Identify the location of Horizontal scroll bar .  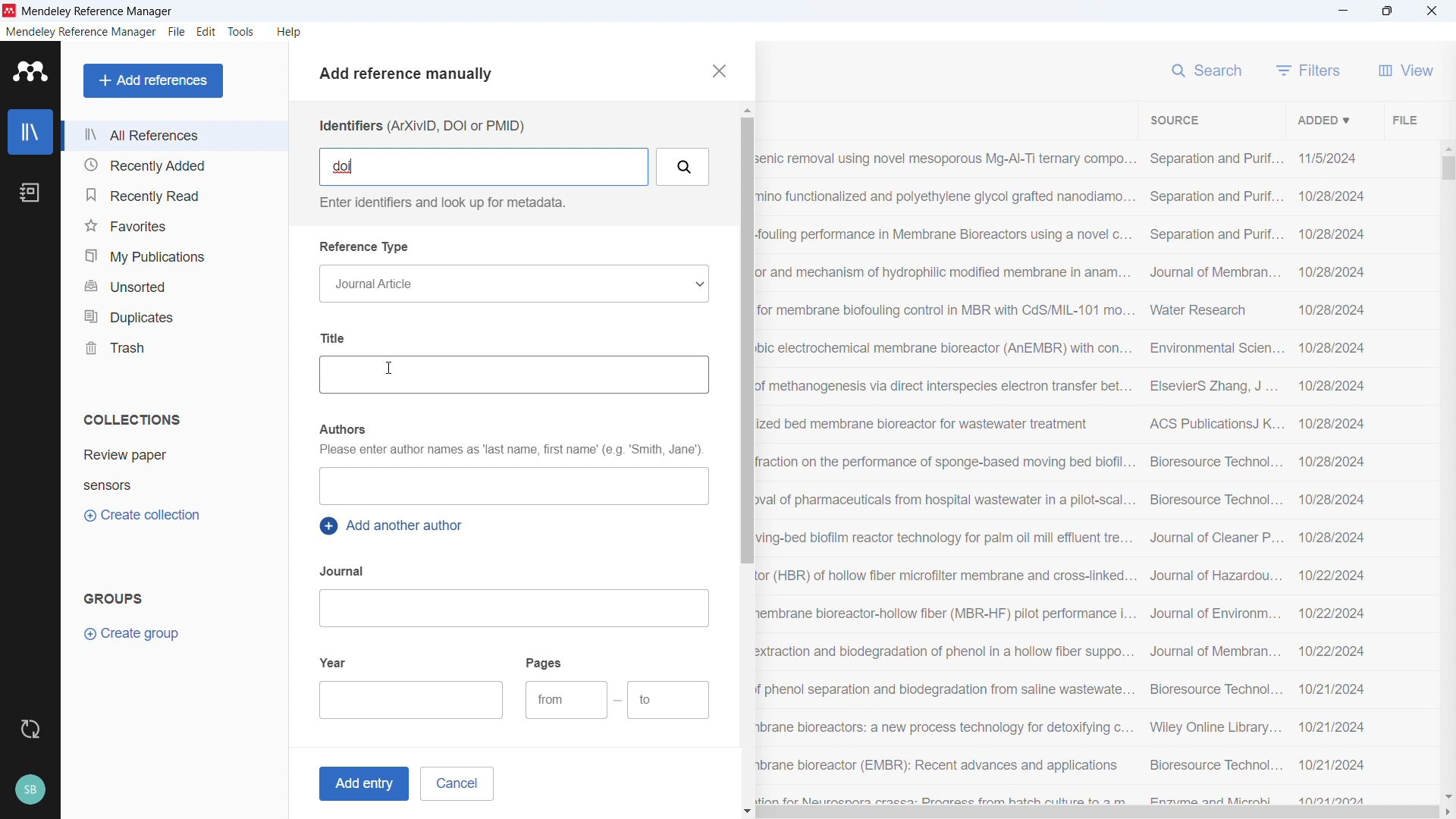
(1098, 813).